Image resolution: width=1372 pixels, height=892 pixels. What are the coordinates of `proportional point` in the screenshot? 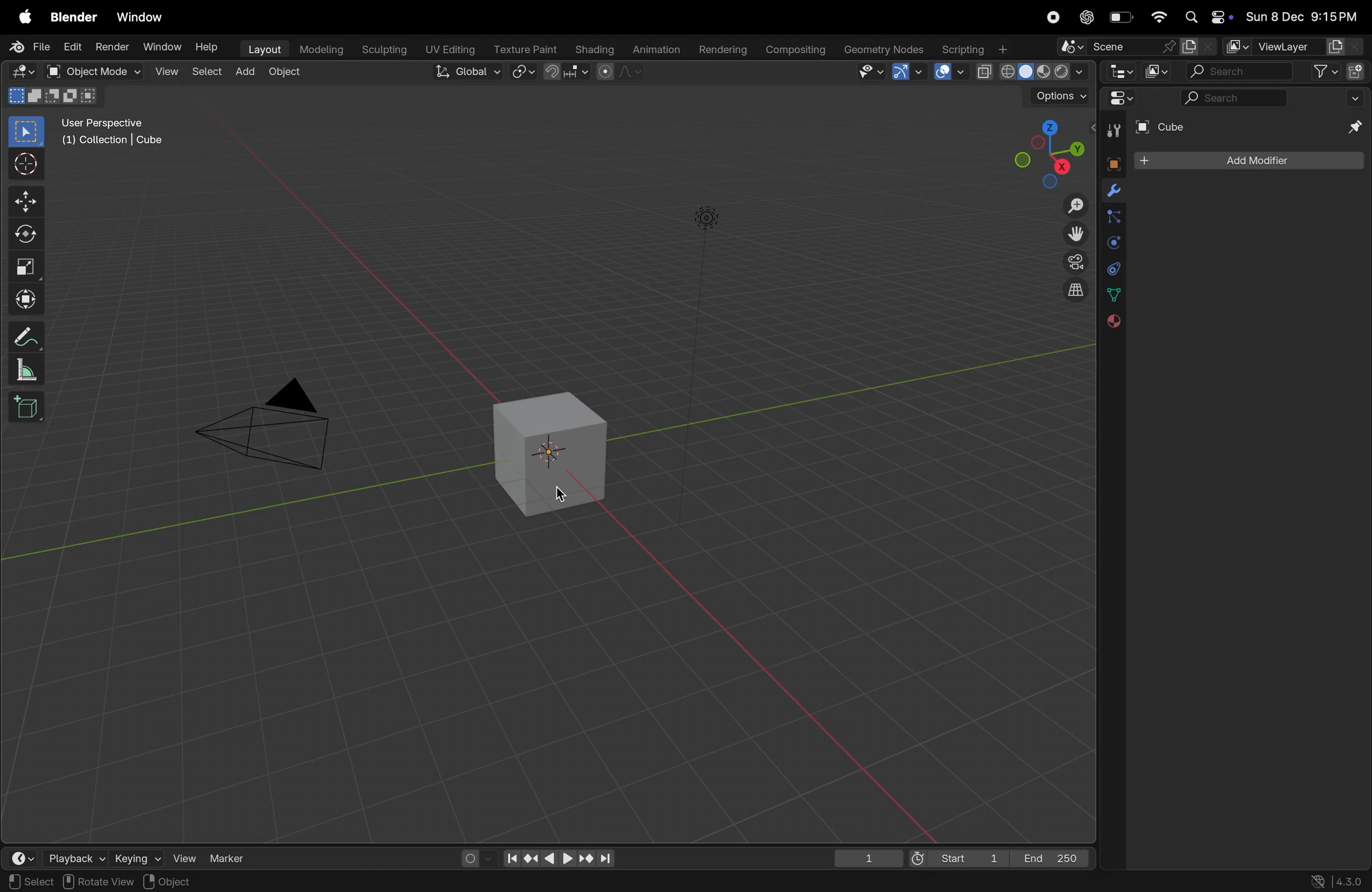 It's located at (618, 71).